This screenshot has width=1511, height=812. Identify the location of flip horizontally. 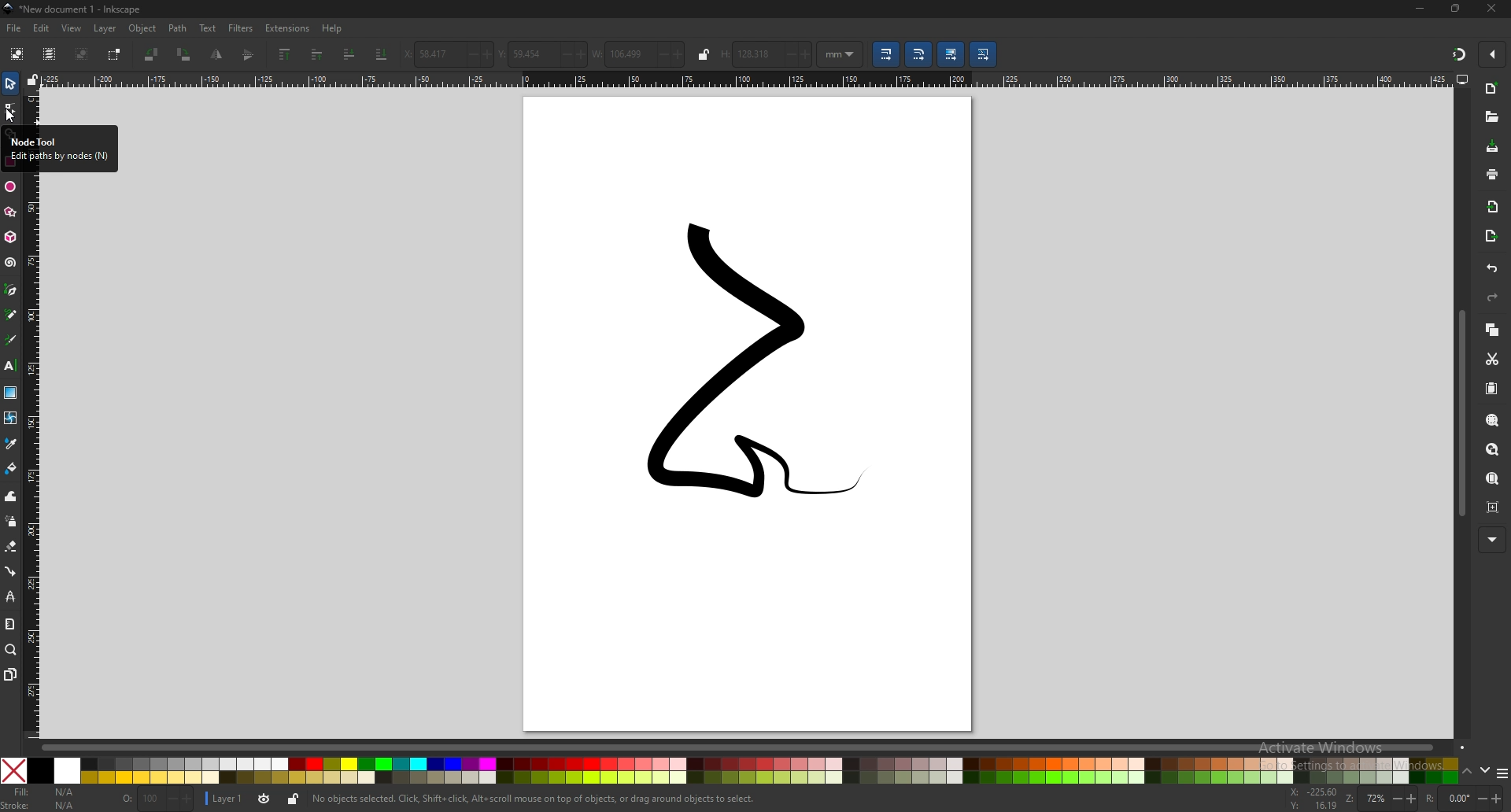
(249, 54).